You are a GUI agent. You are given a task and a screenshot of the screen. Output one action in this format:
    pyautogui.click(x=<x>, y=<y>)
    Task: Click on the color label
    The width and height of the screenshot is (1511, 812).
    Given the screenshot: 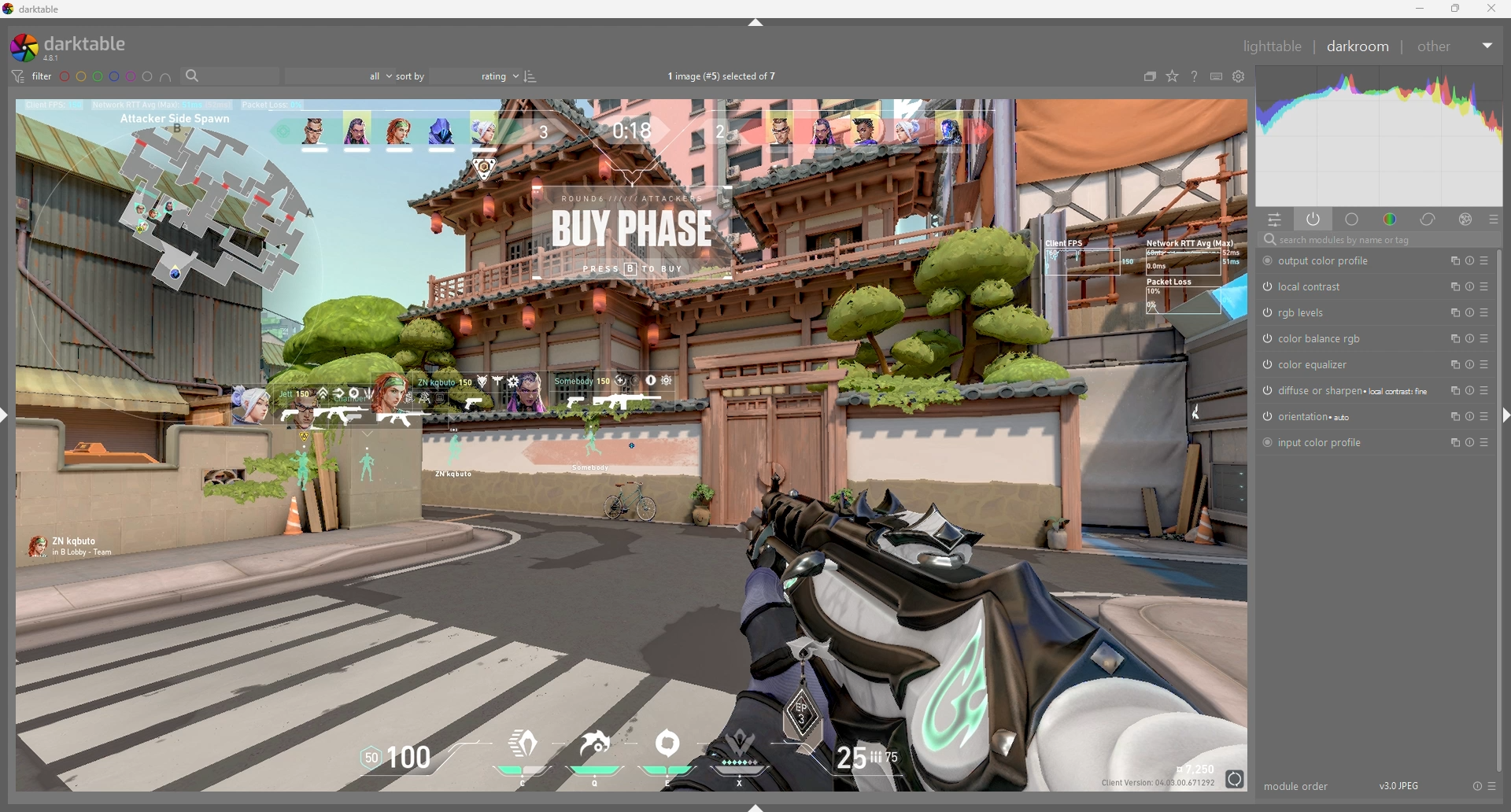 What is the action you would take?
    pyautogui.click(x=105, y=76)
    